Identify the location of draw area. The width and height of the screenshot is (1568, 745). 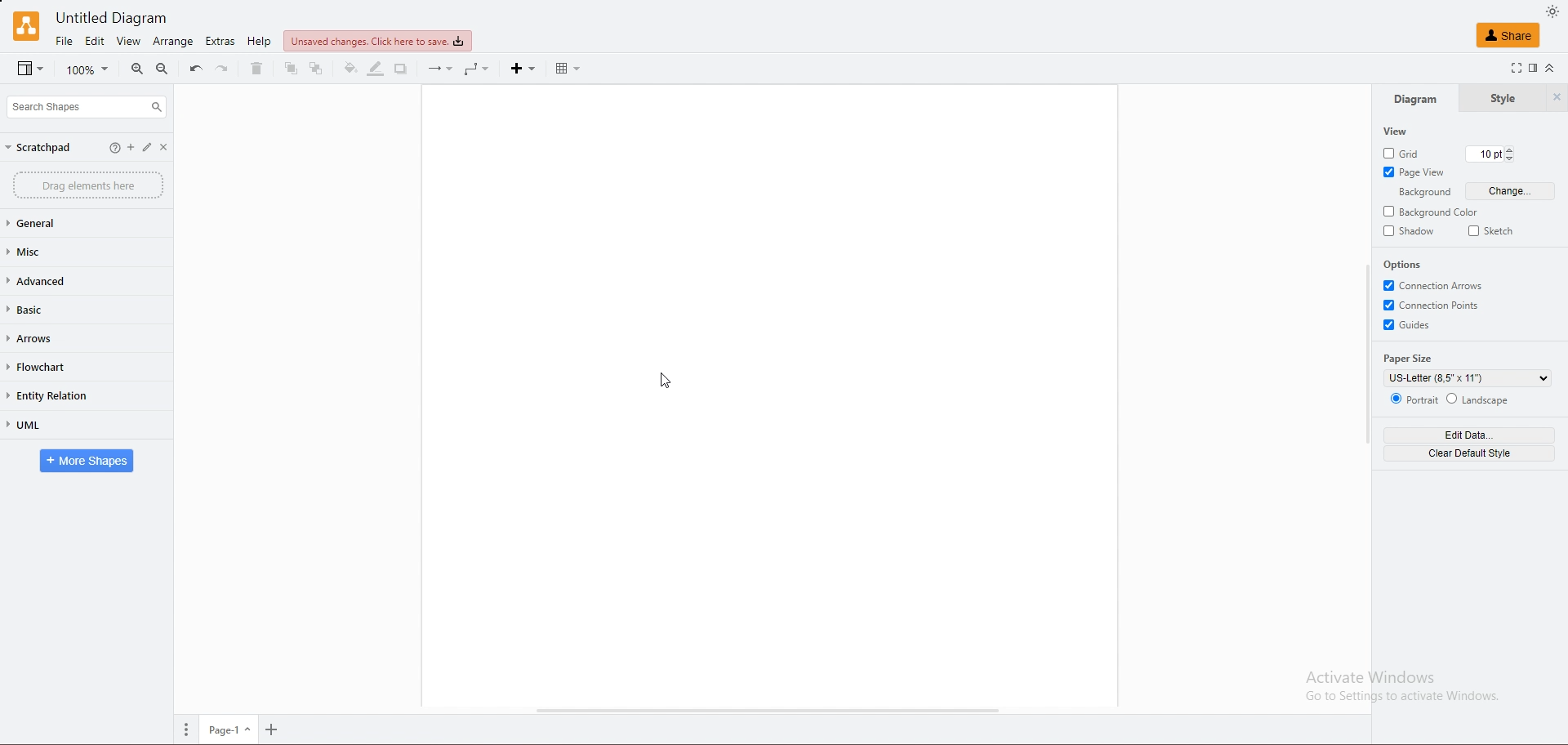
(770, 391).